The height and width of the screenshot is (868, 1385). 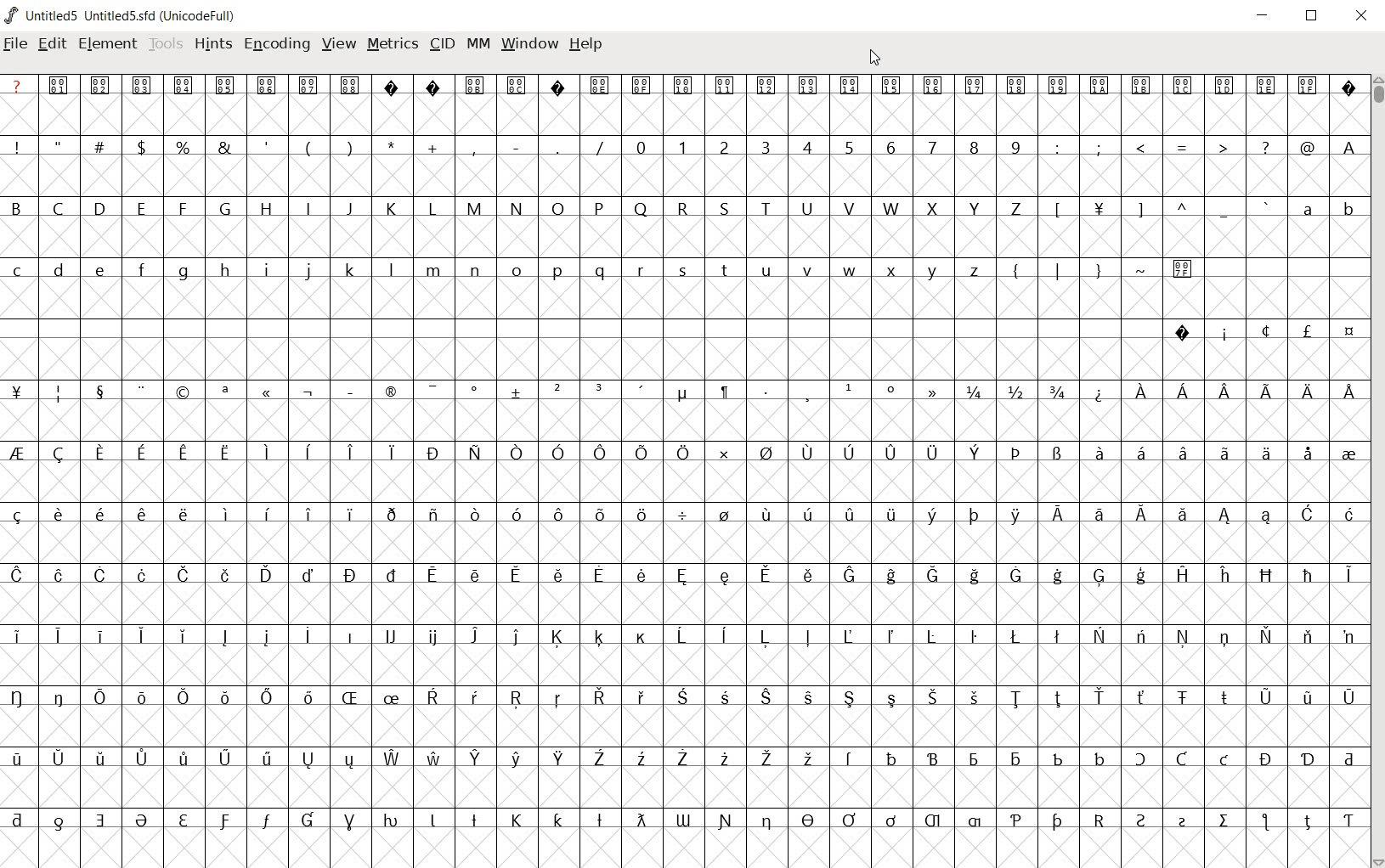 What do you see at coordinates (558, 819) in the screenshot?
I see `` at bounding box center [558, 819].